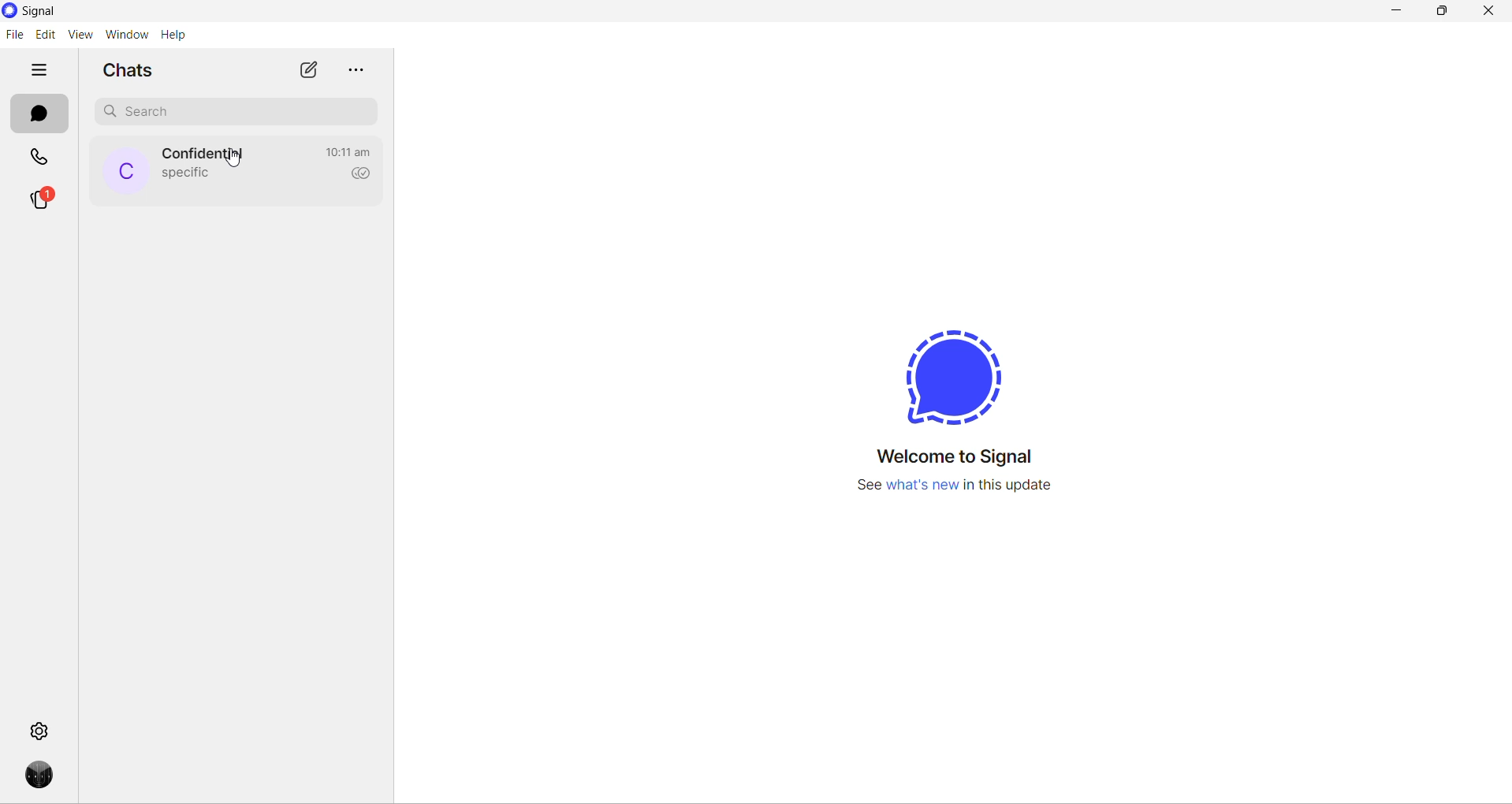 The image size is (1512, 804). Describe the element at coordinates (210, 154) in the screenshot. I see `contact name` at that location.